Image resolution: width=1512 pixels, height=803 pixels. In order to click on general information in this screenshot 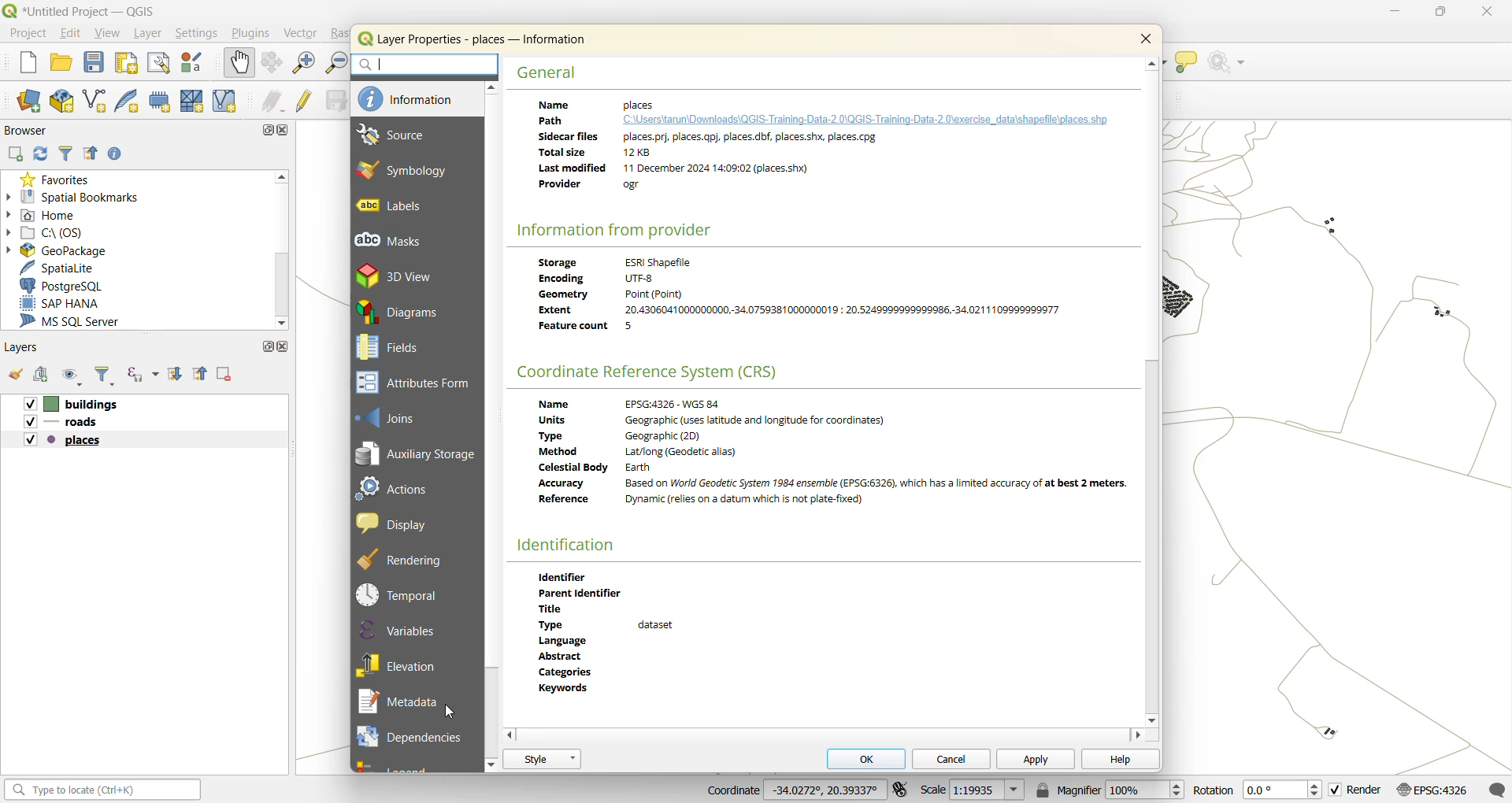, I will do `click(817, 152)`.